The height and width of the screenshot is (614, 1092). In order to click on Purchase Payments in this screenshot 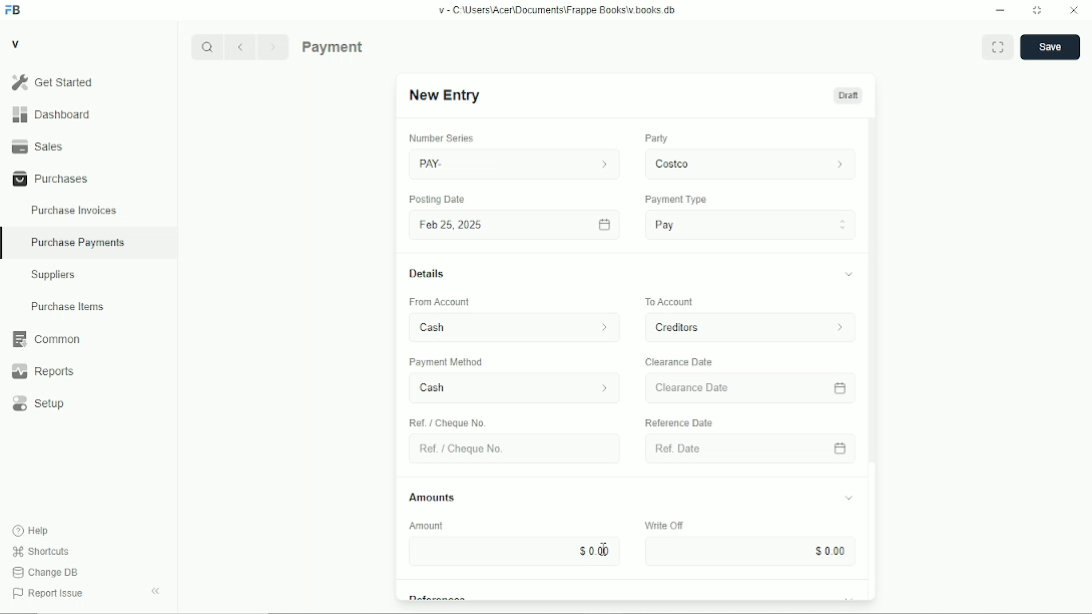, I will do `click(89, 244)`.